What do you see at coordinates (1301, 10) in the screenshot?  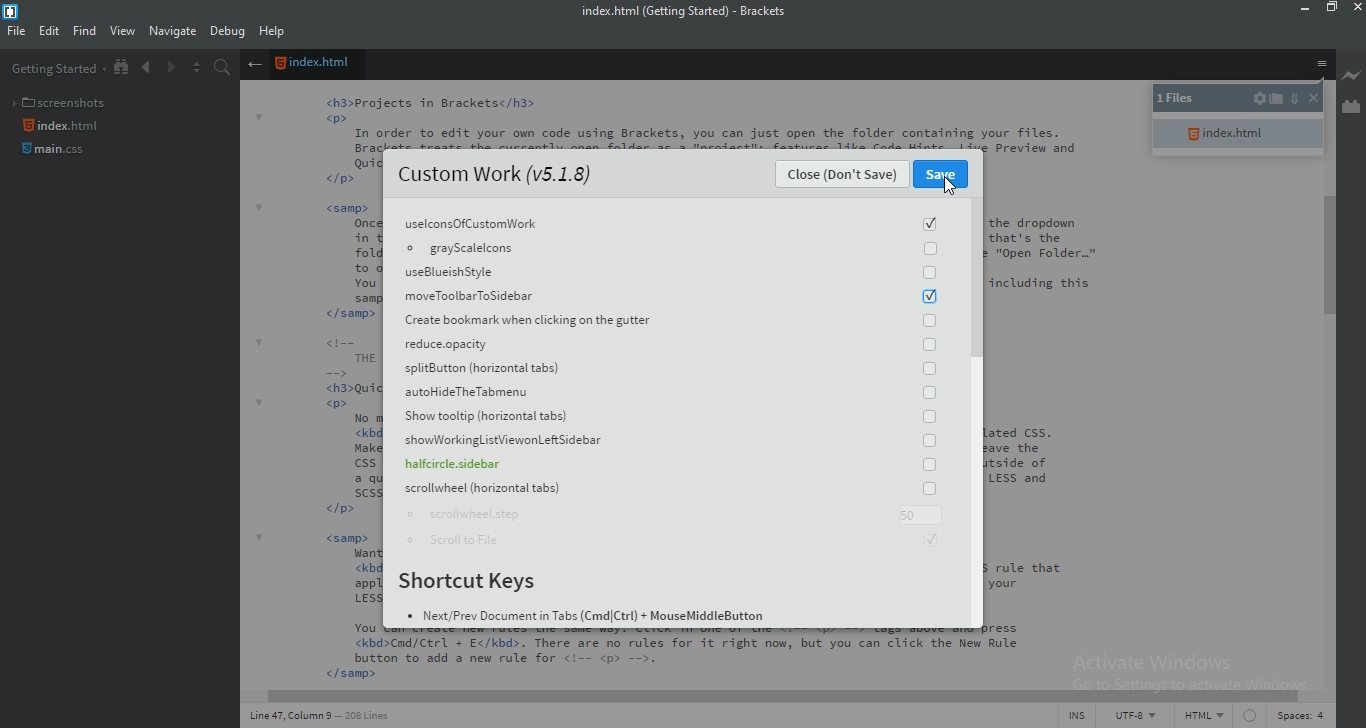 I see `minmise` at bounding box center [1301, 10].